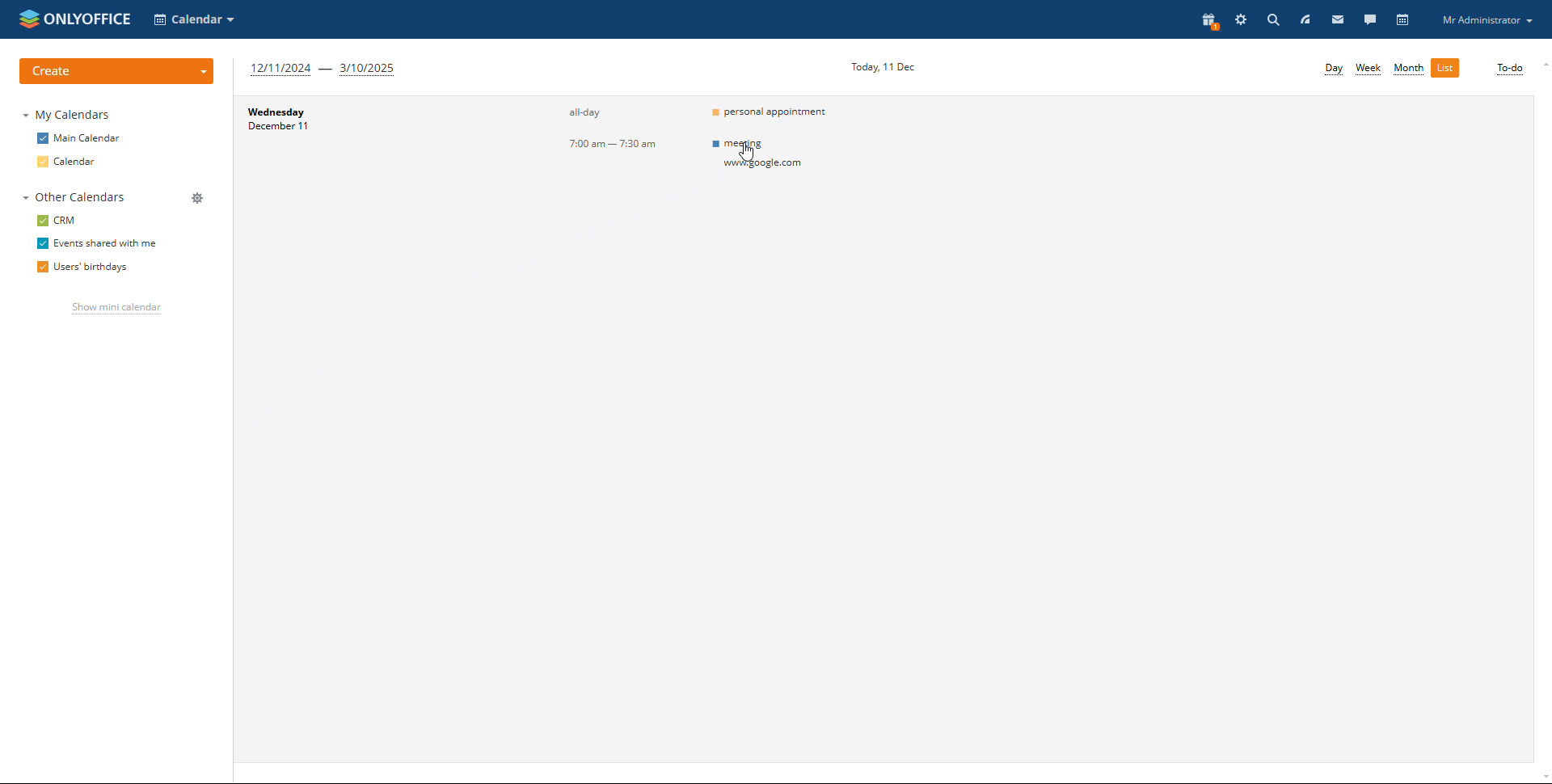 The height and width of the screenshot is (784, 1552). Describe the element at coordinates (1306, 19) in the screenshot. I see `feed` at that location.